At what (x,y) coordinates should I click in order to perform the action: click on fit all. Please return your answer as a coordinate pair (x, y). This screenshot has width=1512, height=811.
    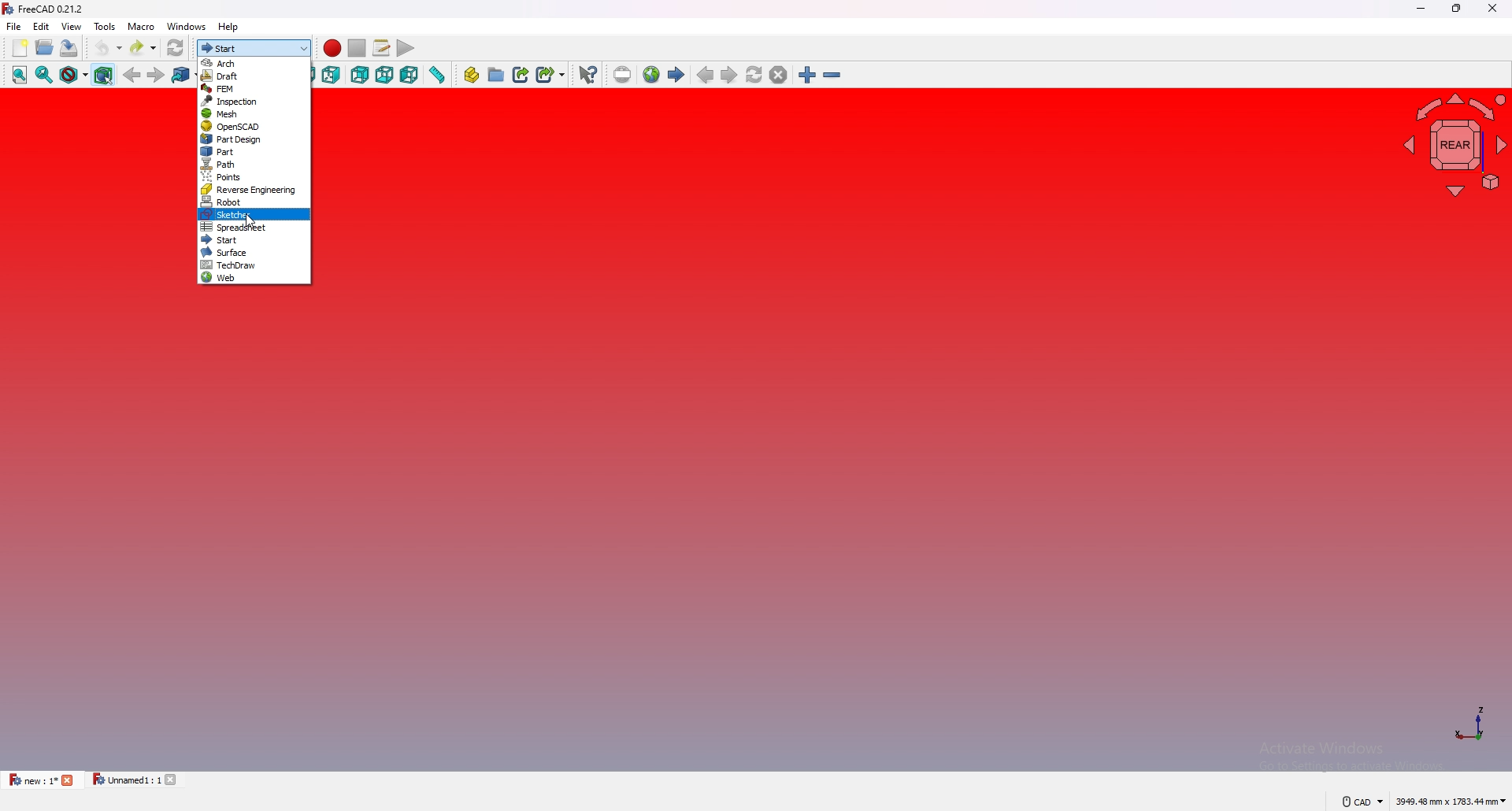
    Looking at the image, I should click on (19, 75).